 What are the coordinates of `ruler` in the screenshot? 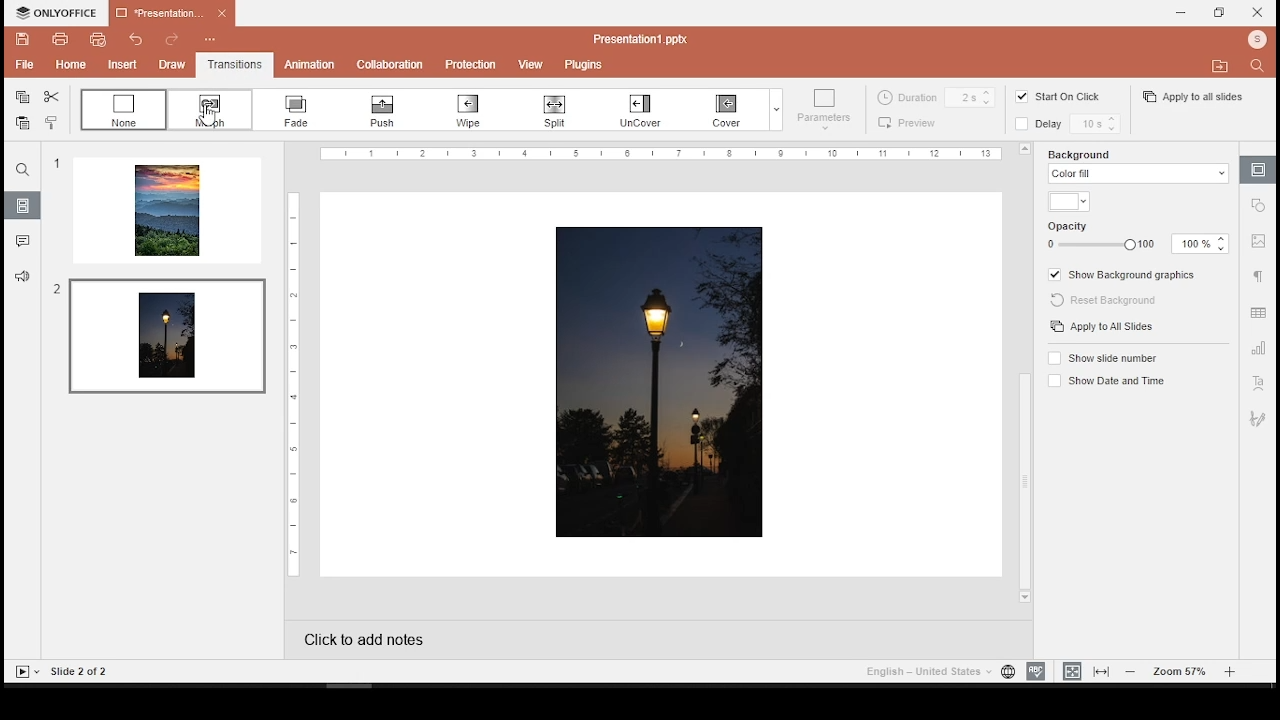 It's located at (288, 384).